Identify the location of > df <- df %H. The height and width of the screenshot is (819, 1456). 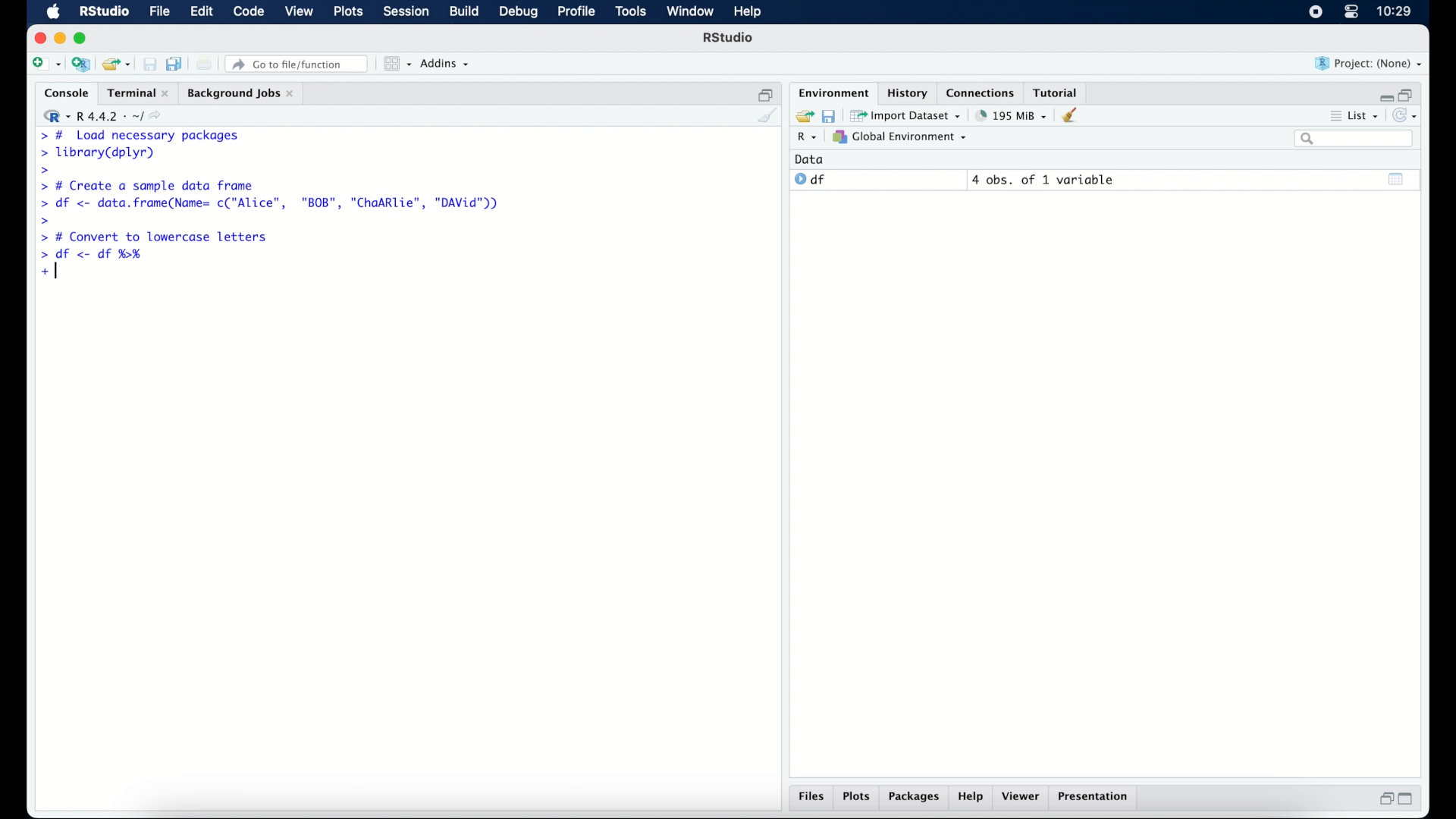
(96, 256).